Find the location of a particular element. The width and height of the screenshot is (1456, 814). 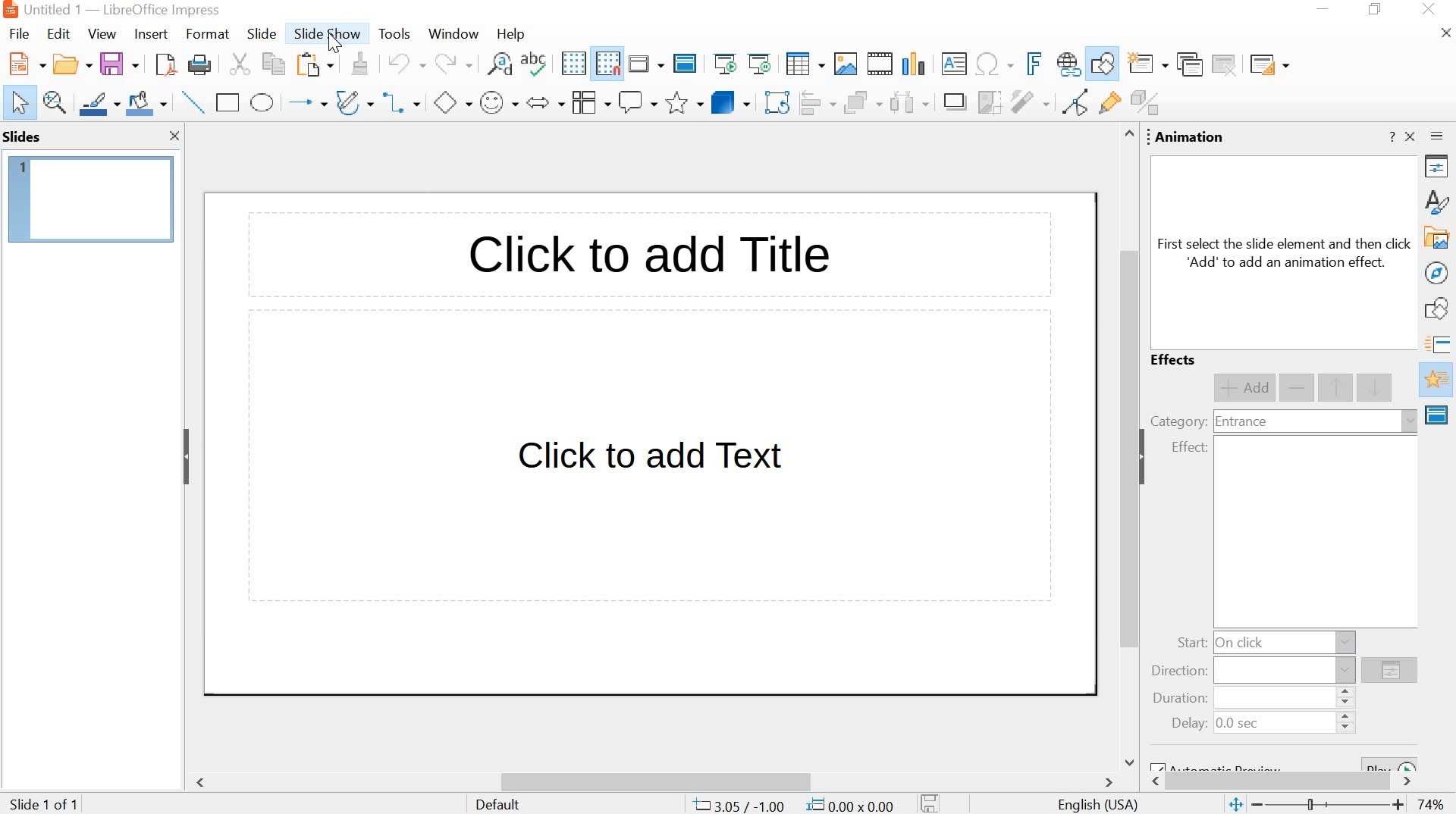

window menu is located at coordinates (451, 34).